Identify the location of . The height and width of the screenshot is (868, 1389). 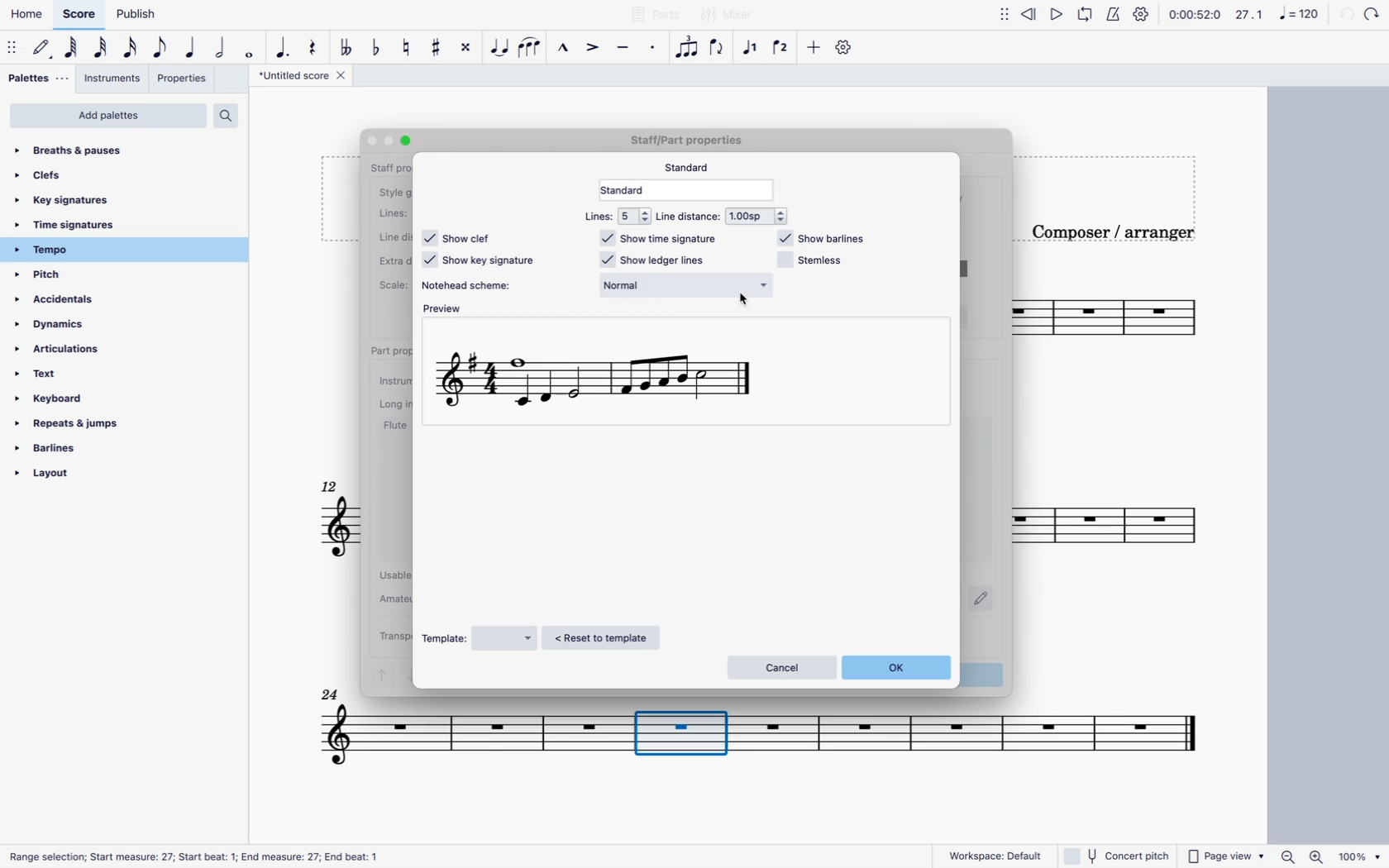
(389, 139).